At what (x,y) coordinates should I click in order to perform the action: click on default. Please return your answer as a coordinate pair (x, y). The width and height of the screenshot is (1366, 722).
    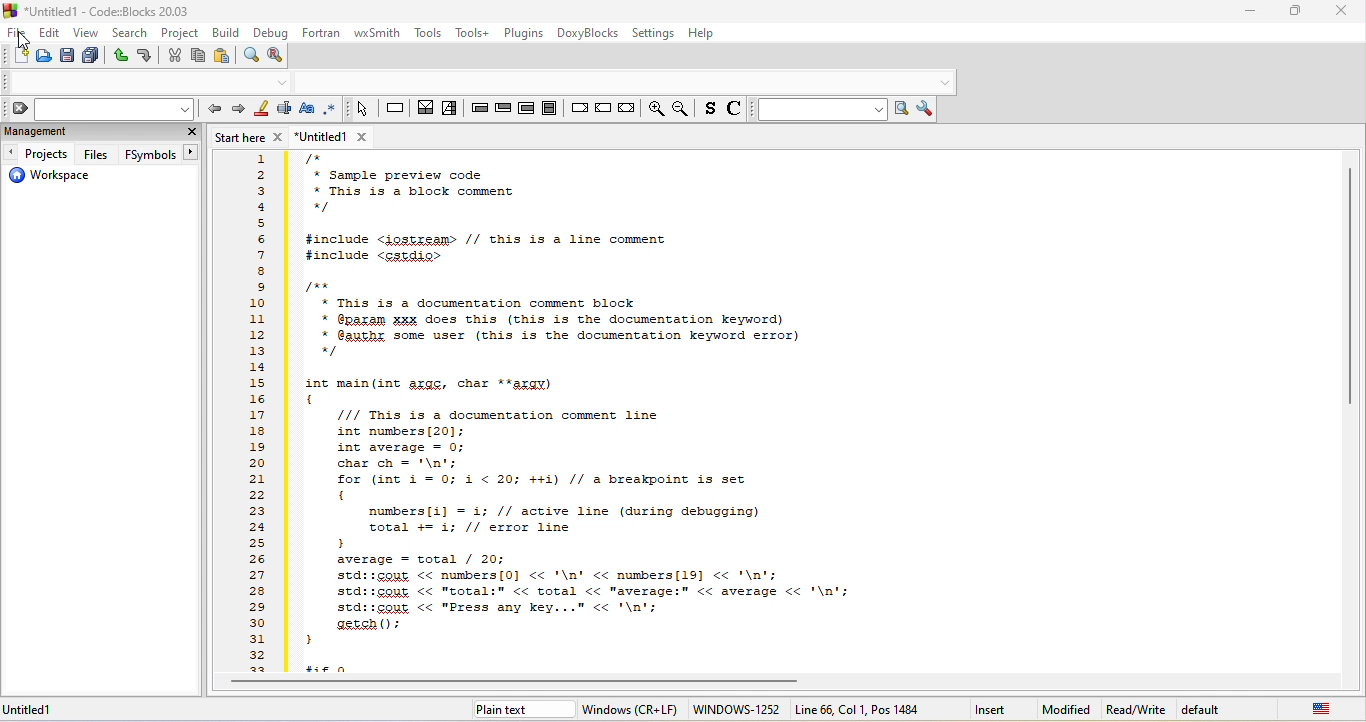
    Looking at the image, I should click on (1215, 710).